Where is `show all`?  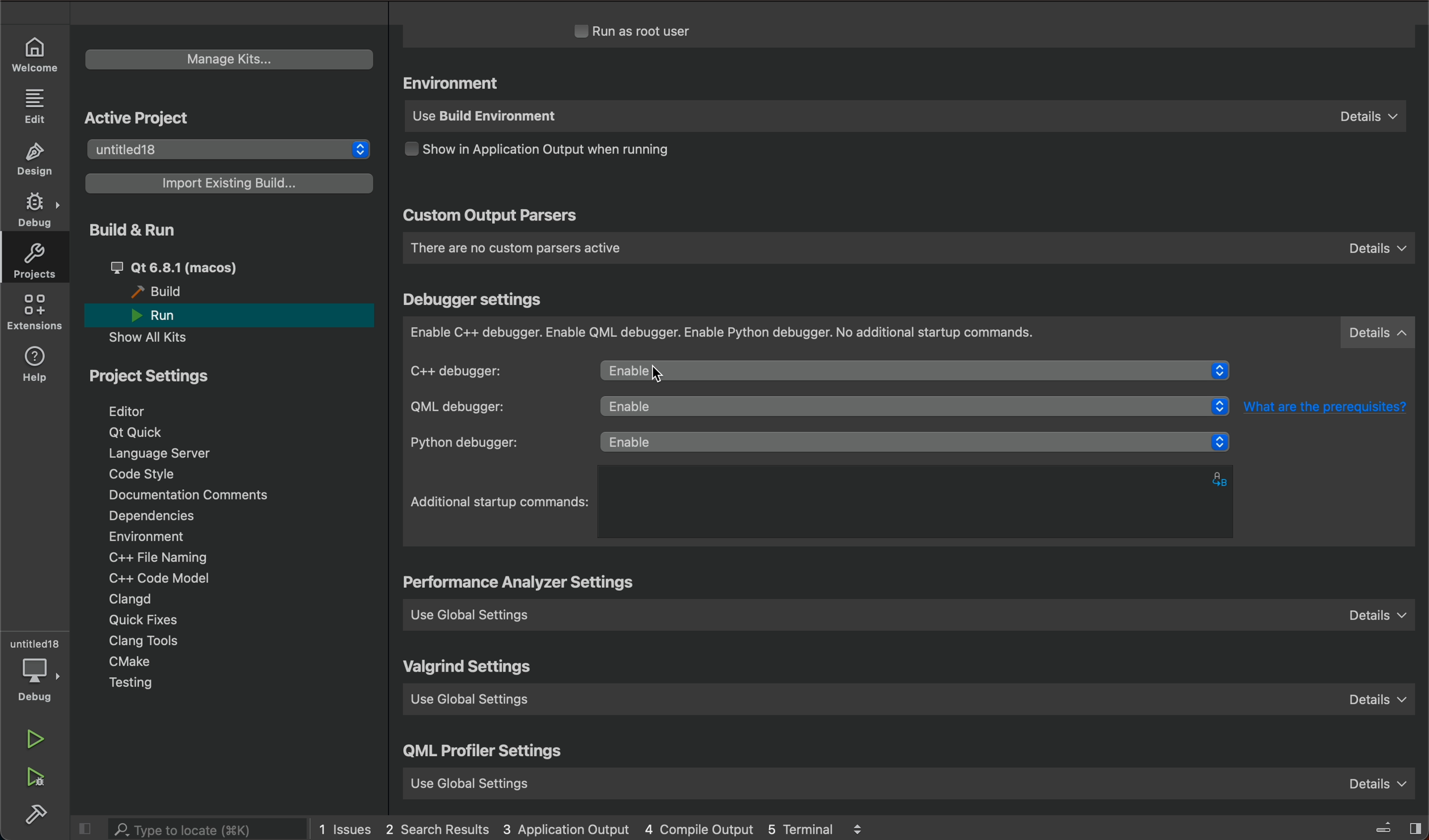 show all is located at coordinates (157, 337).